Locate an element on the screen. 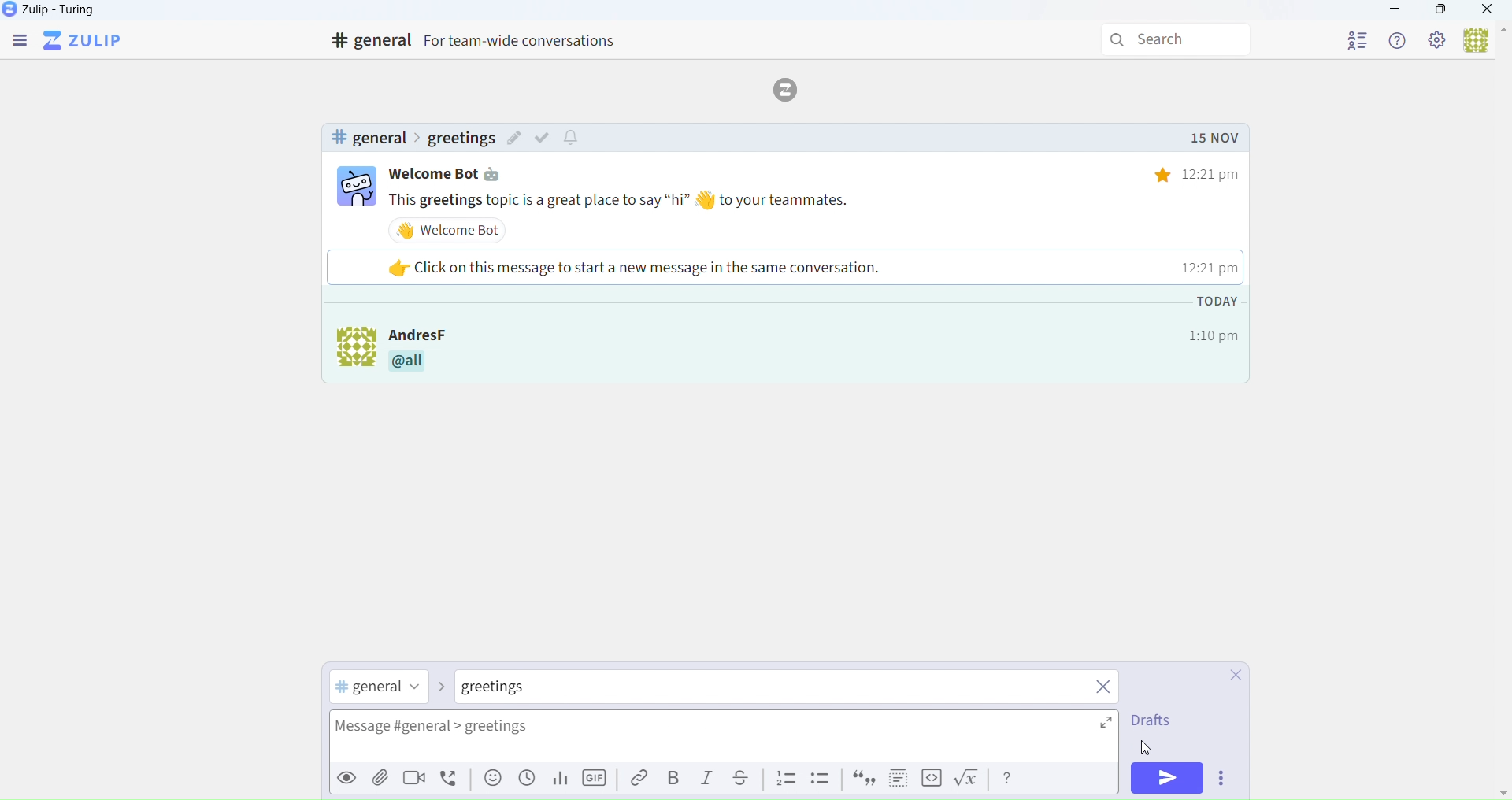 The image size is (1512, 800). Messages is located at coordinates (818, 200).